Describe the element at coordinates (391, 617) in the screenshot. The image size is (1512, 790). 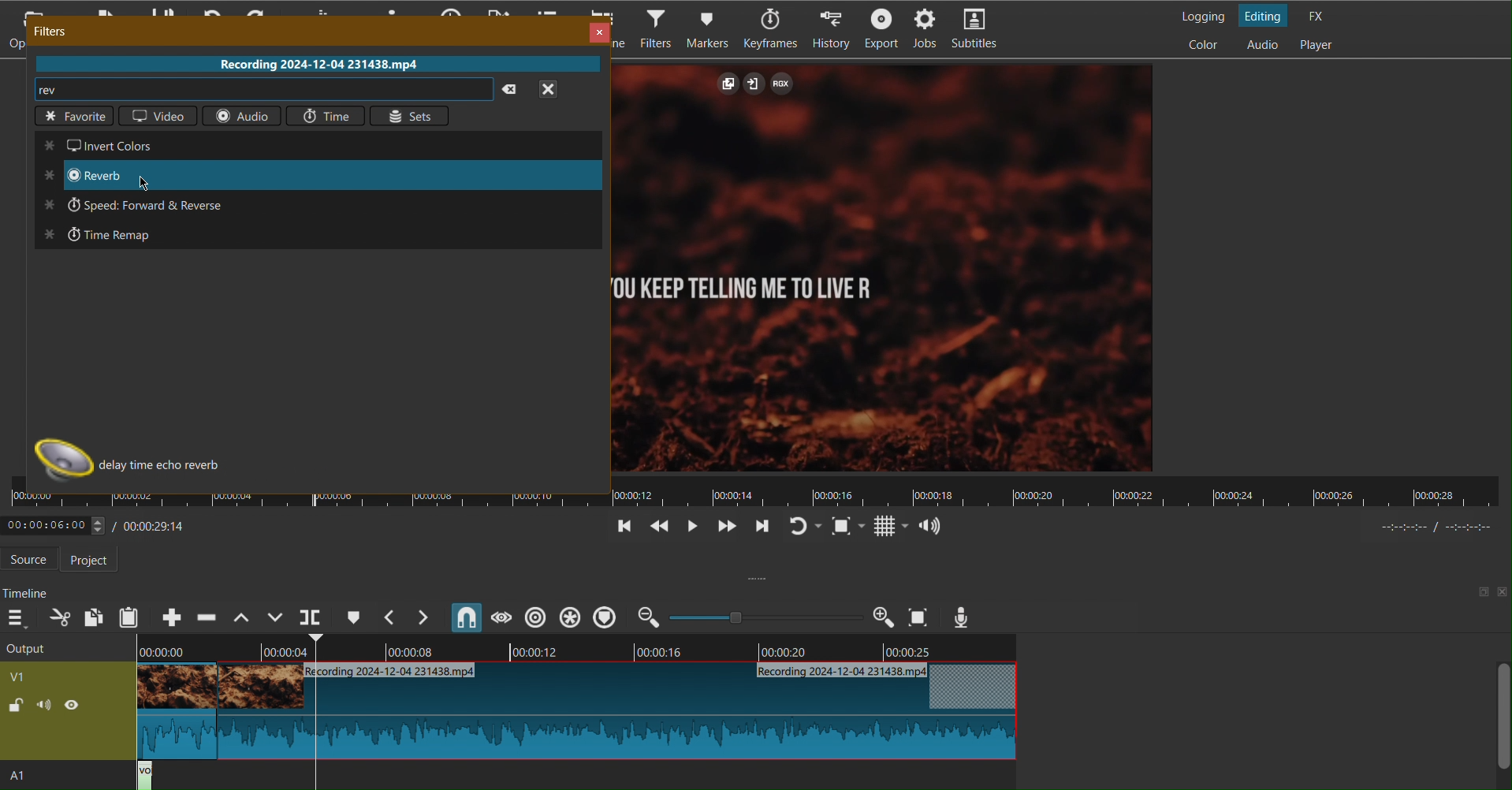
I see `Previous Marker` at that location.